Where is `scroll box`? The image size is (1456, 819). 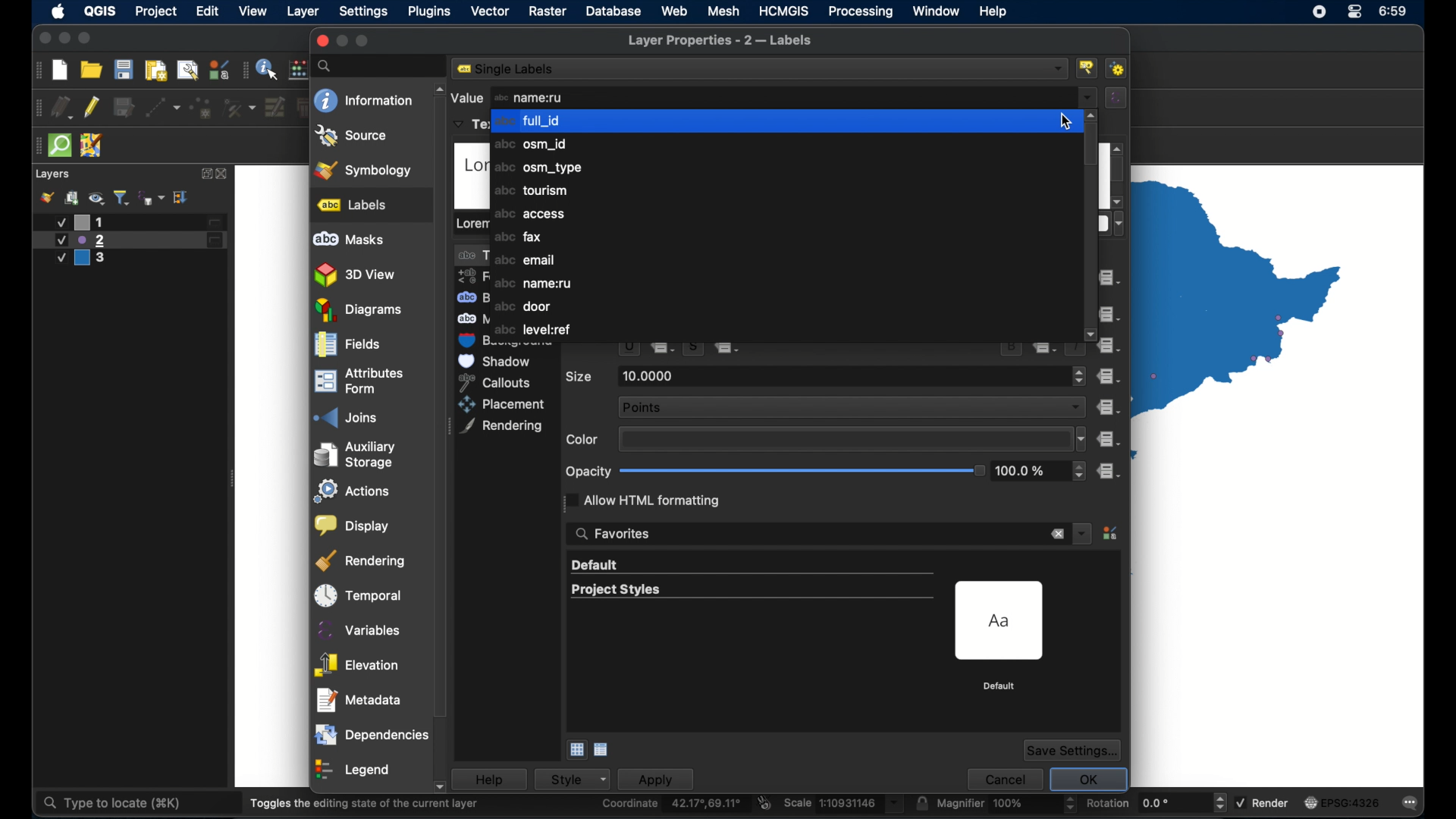 scroll box is located at coordinates (1092, 146).